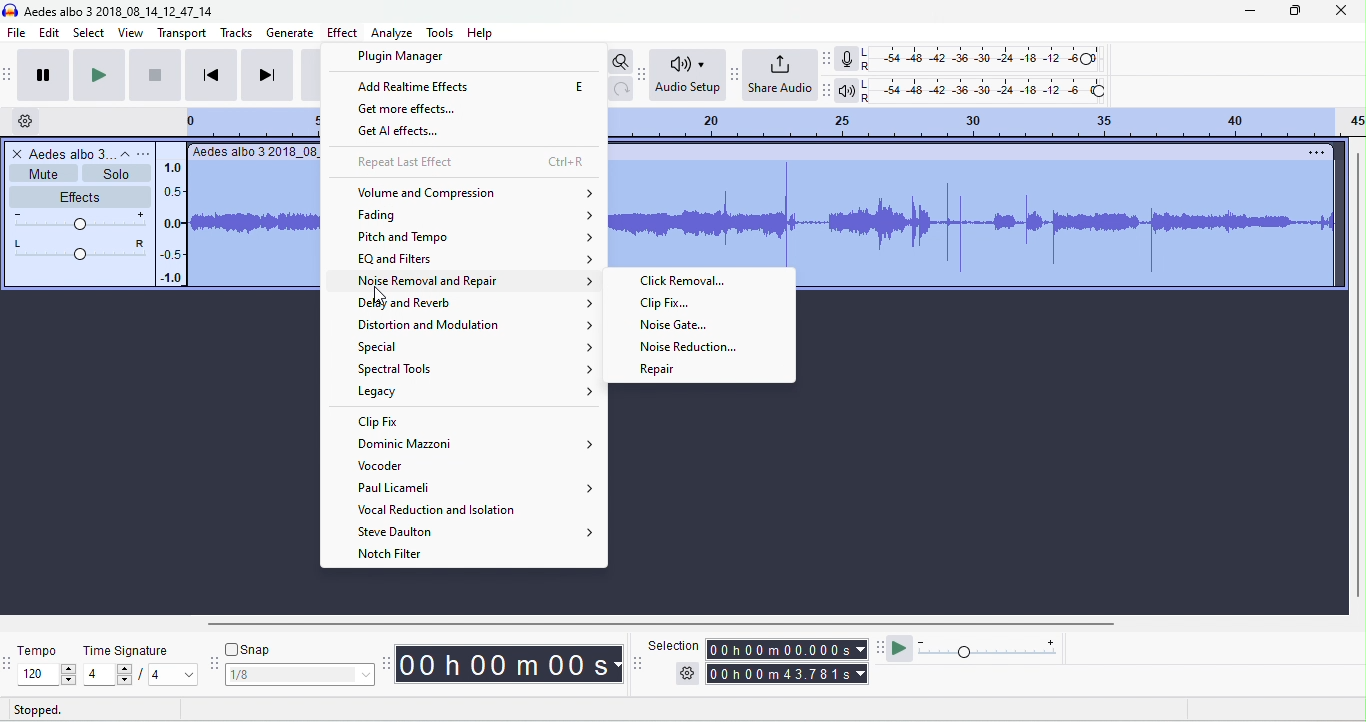 The width and height of the screenshot is (1366, 722). Describe the element at coordinates (991, 60) in the screenshot. I see `recording level` at that location.